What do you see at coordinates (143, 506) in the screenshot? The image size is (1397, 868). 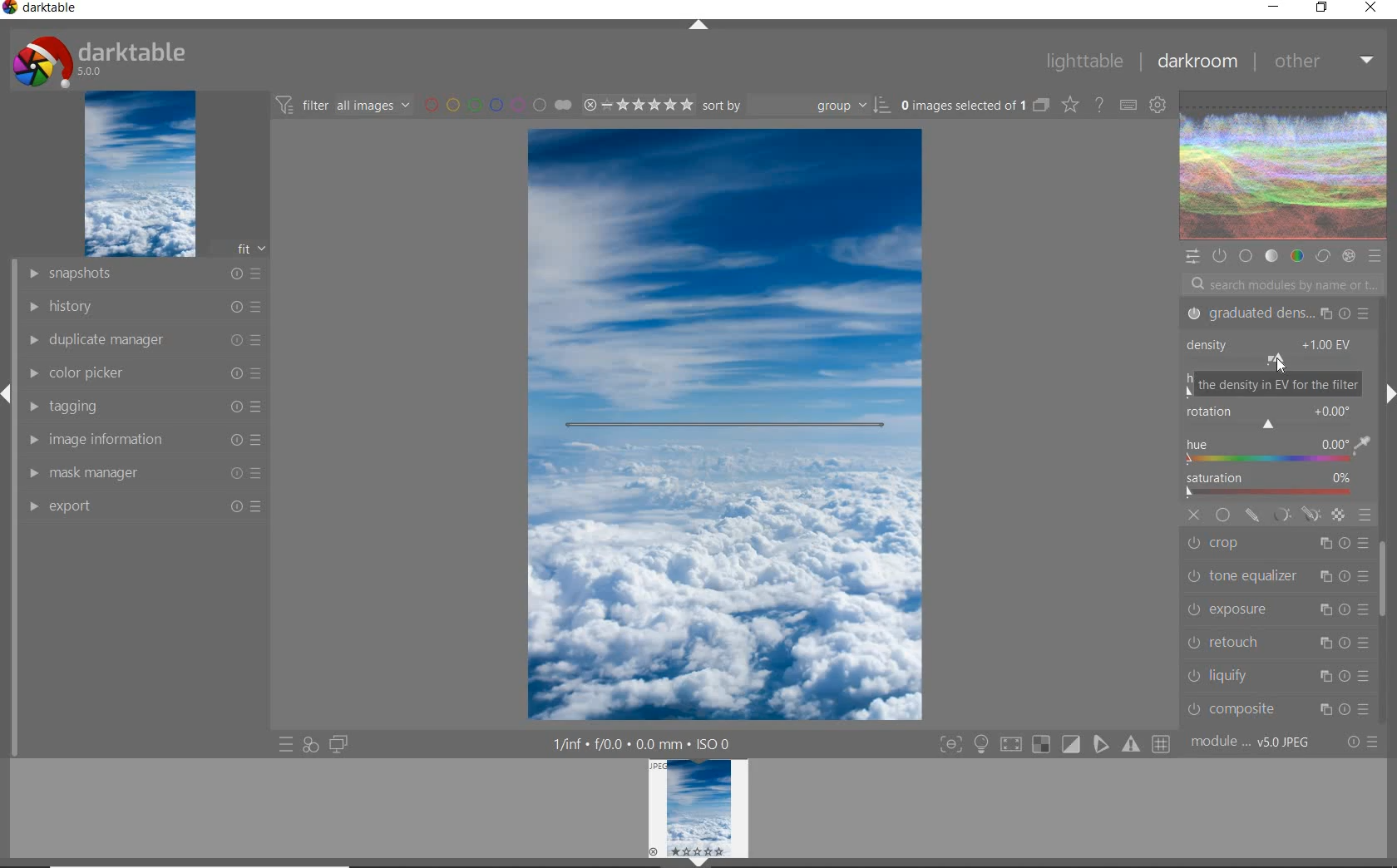 I see `EXPORT` at bounding box center [143, 506].